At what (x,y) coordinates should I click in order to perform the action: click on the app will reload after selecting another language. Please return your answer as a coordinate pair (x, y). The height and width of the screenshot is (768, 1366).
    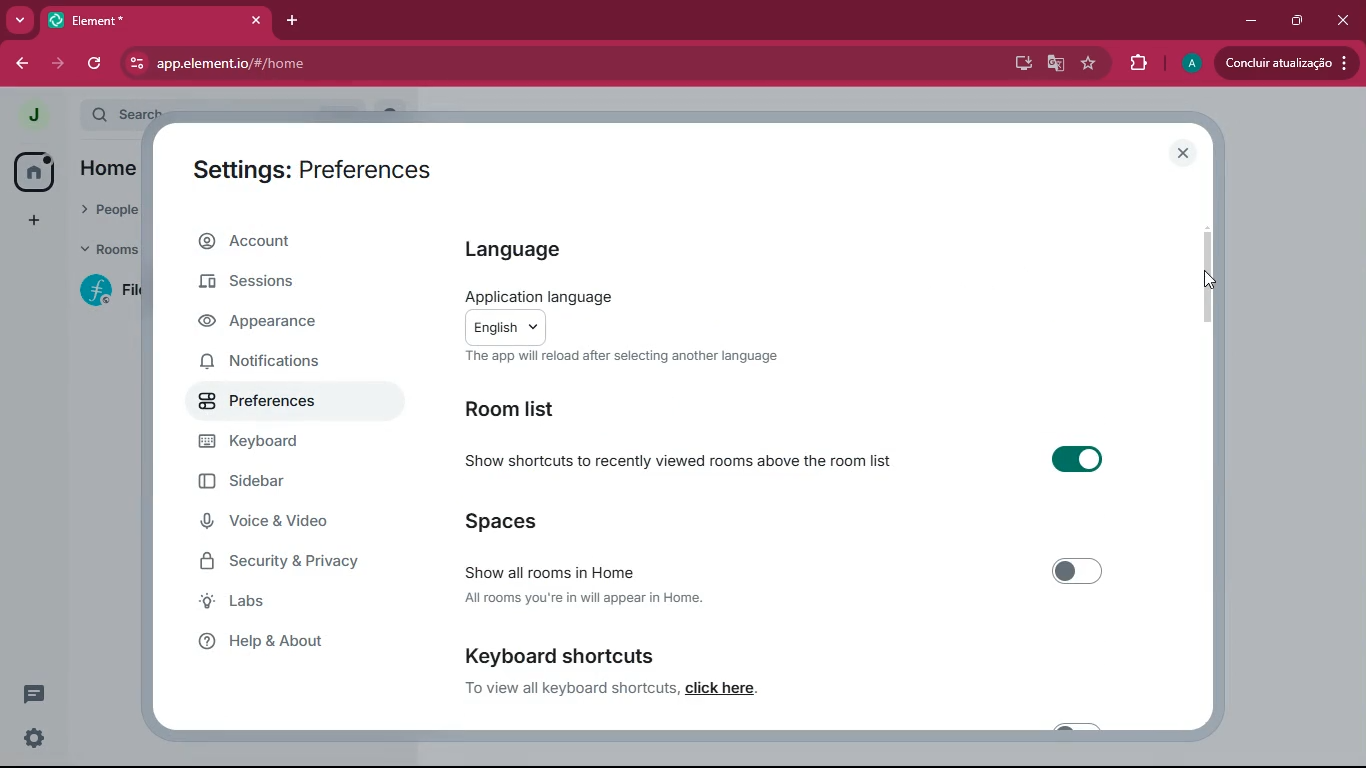
    Looking at the image, I should click on (621, 357).